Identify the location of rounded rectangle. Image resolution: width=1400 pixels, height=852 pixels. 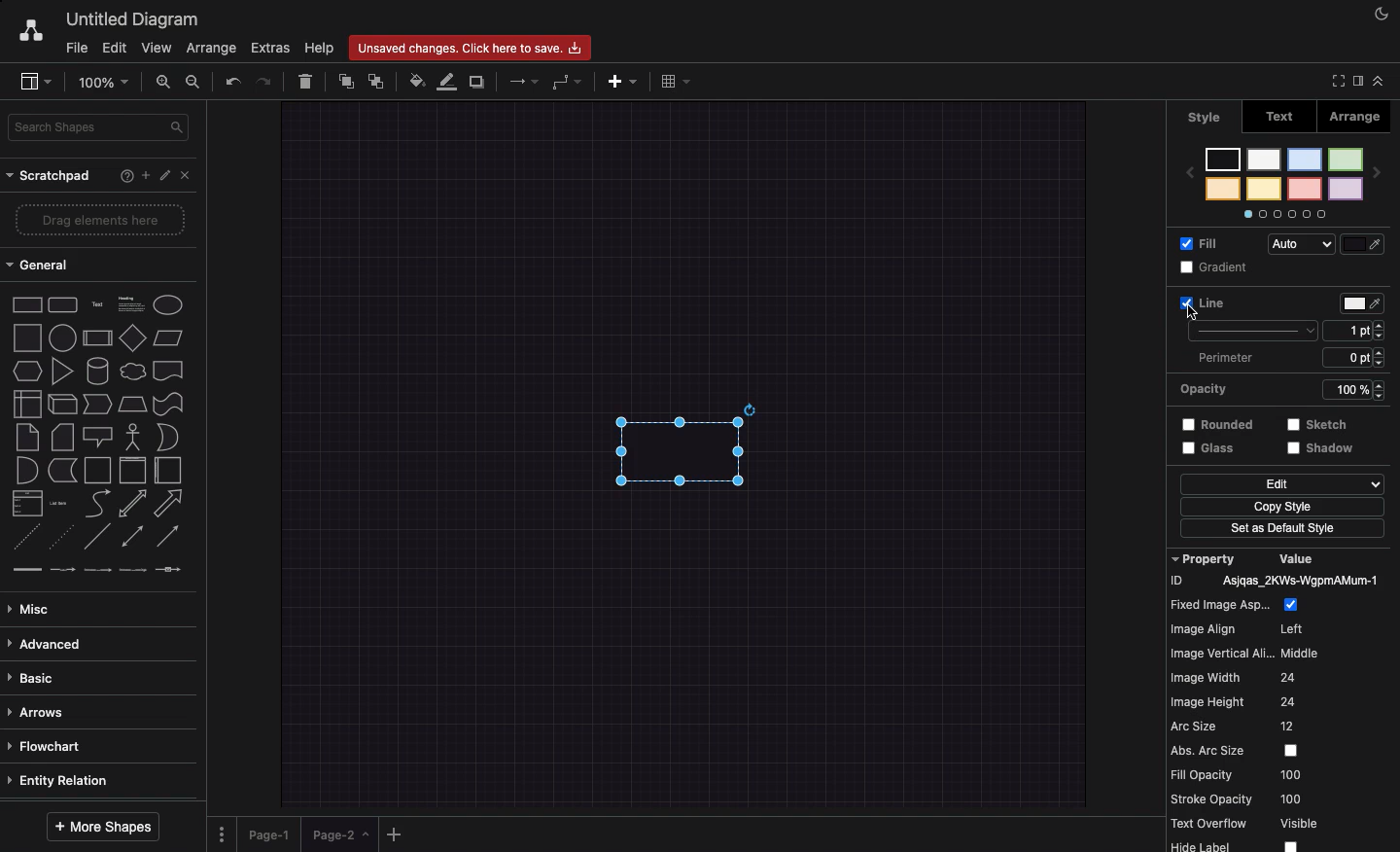
(61, 302).